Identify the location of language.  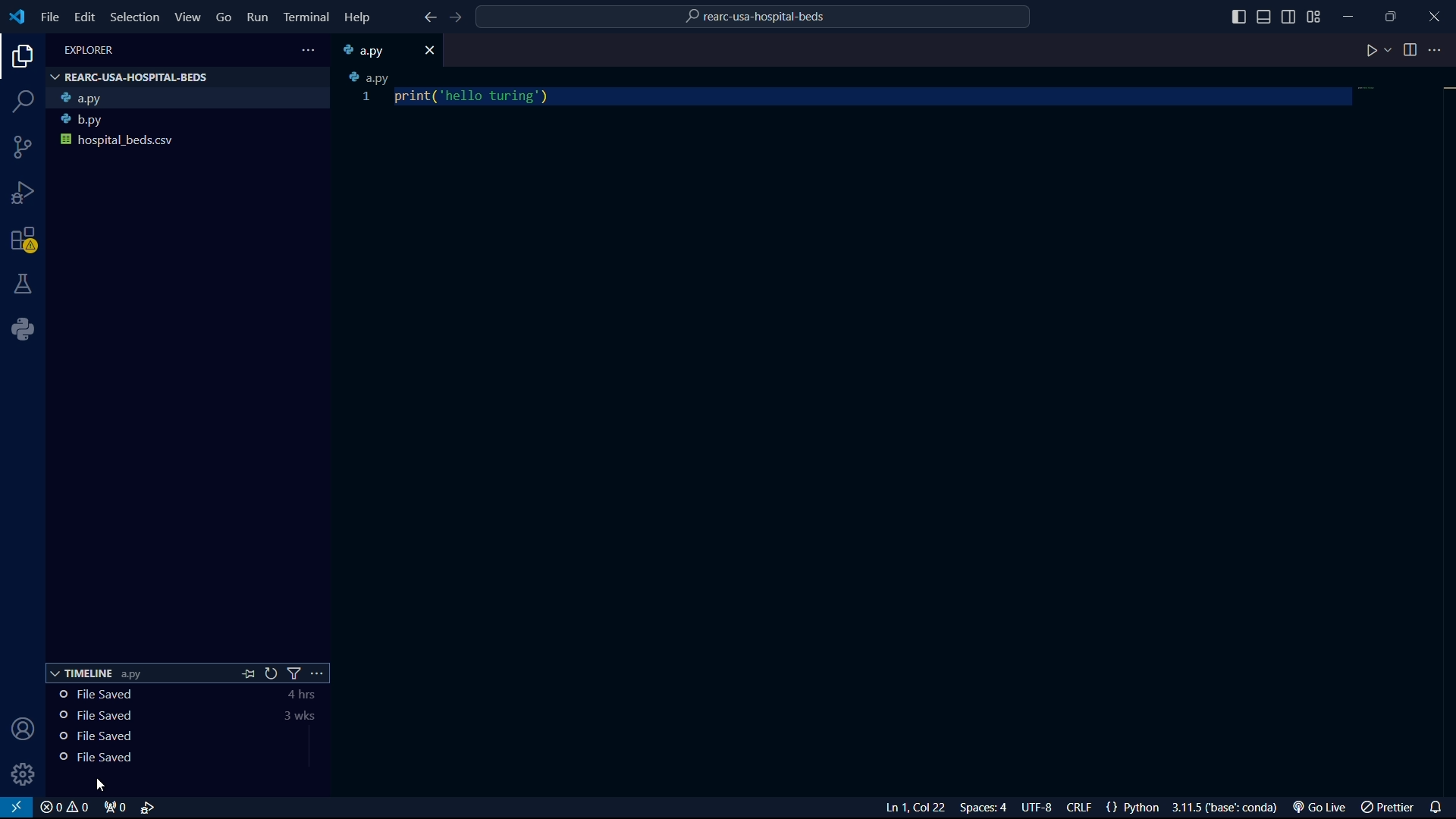
(1129, 807).